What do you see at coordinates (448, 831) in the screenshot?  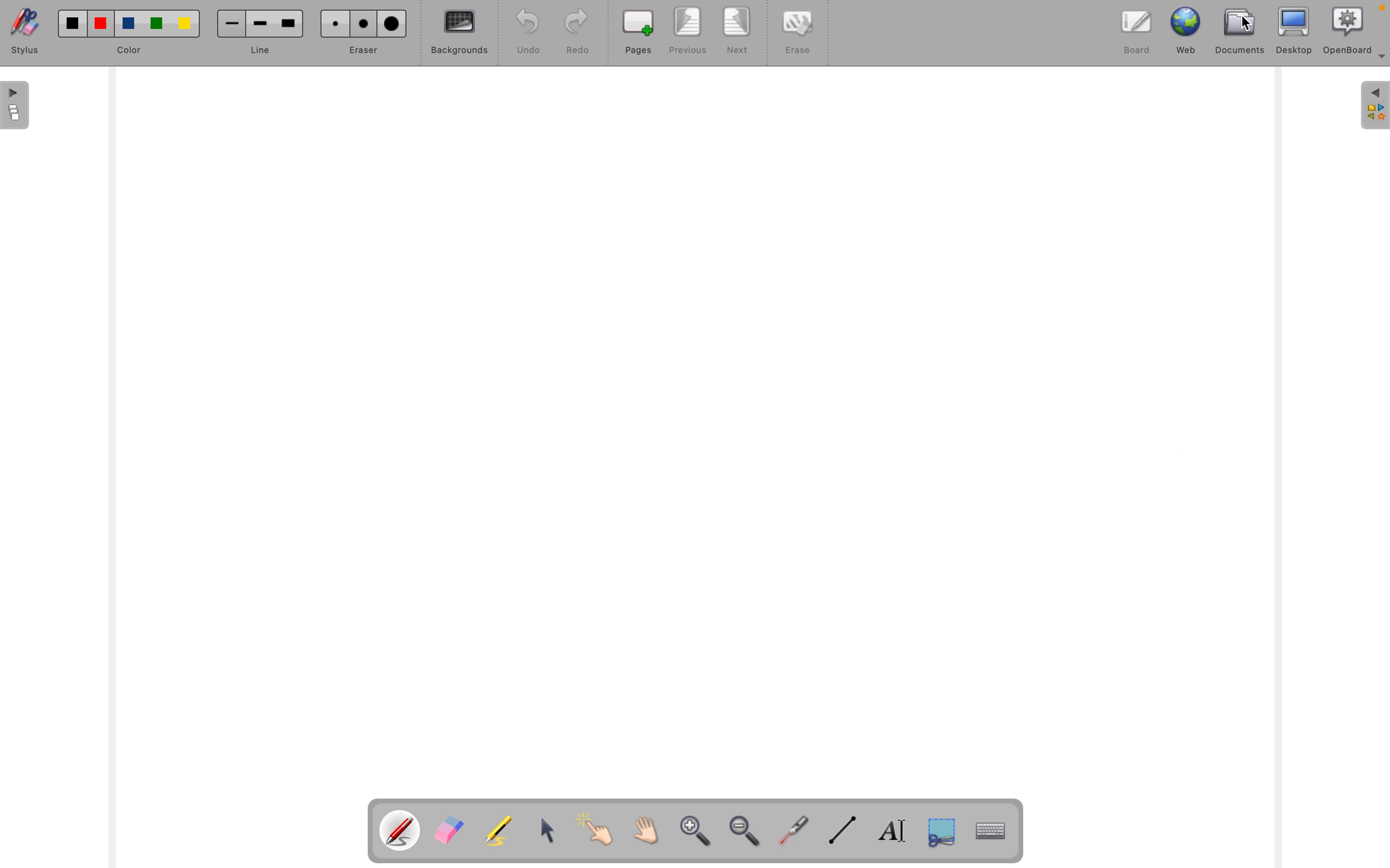 I see `eraser` at bounding box center [448, 831].